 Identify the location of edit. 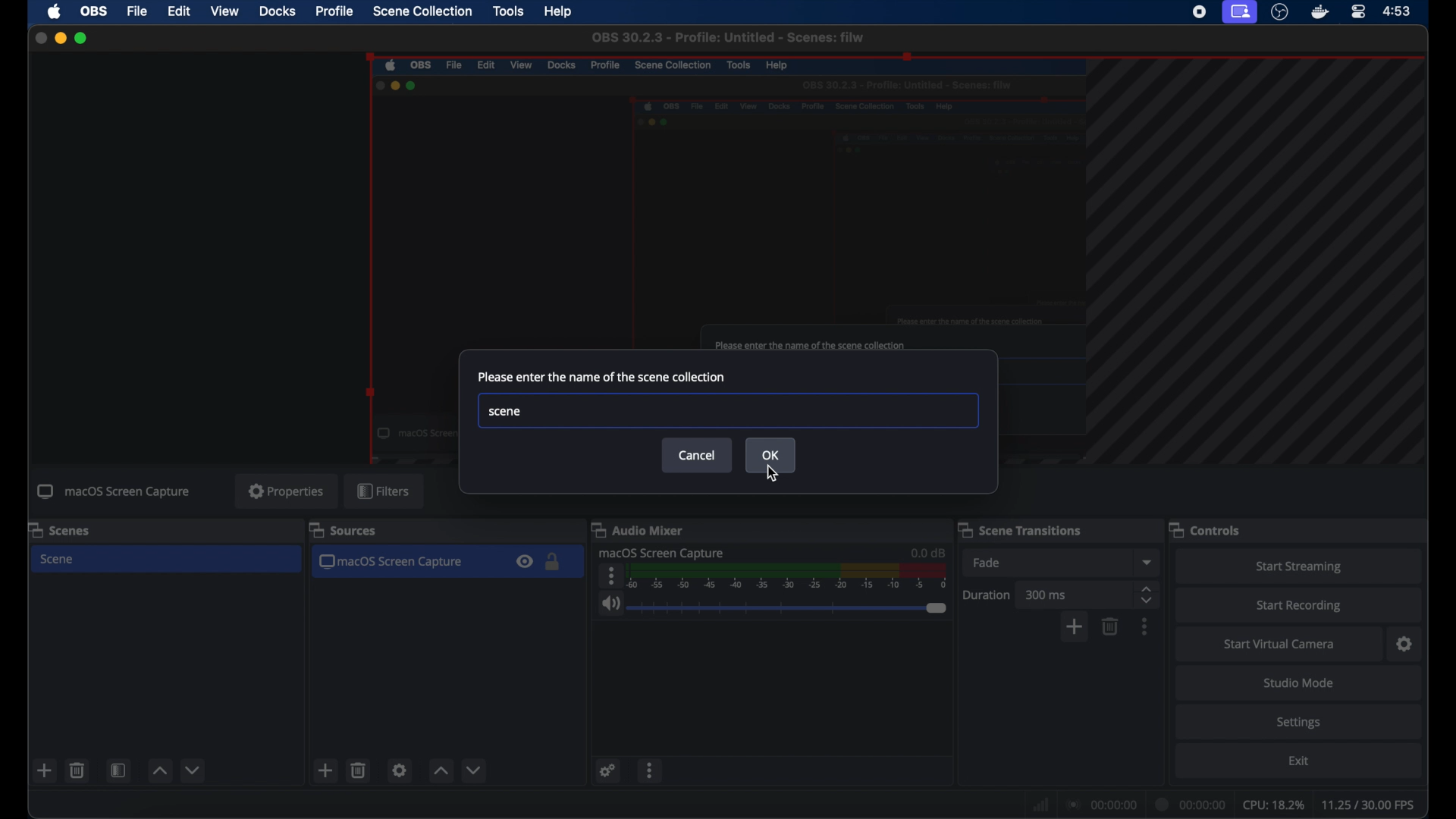
(179, 12).